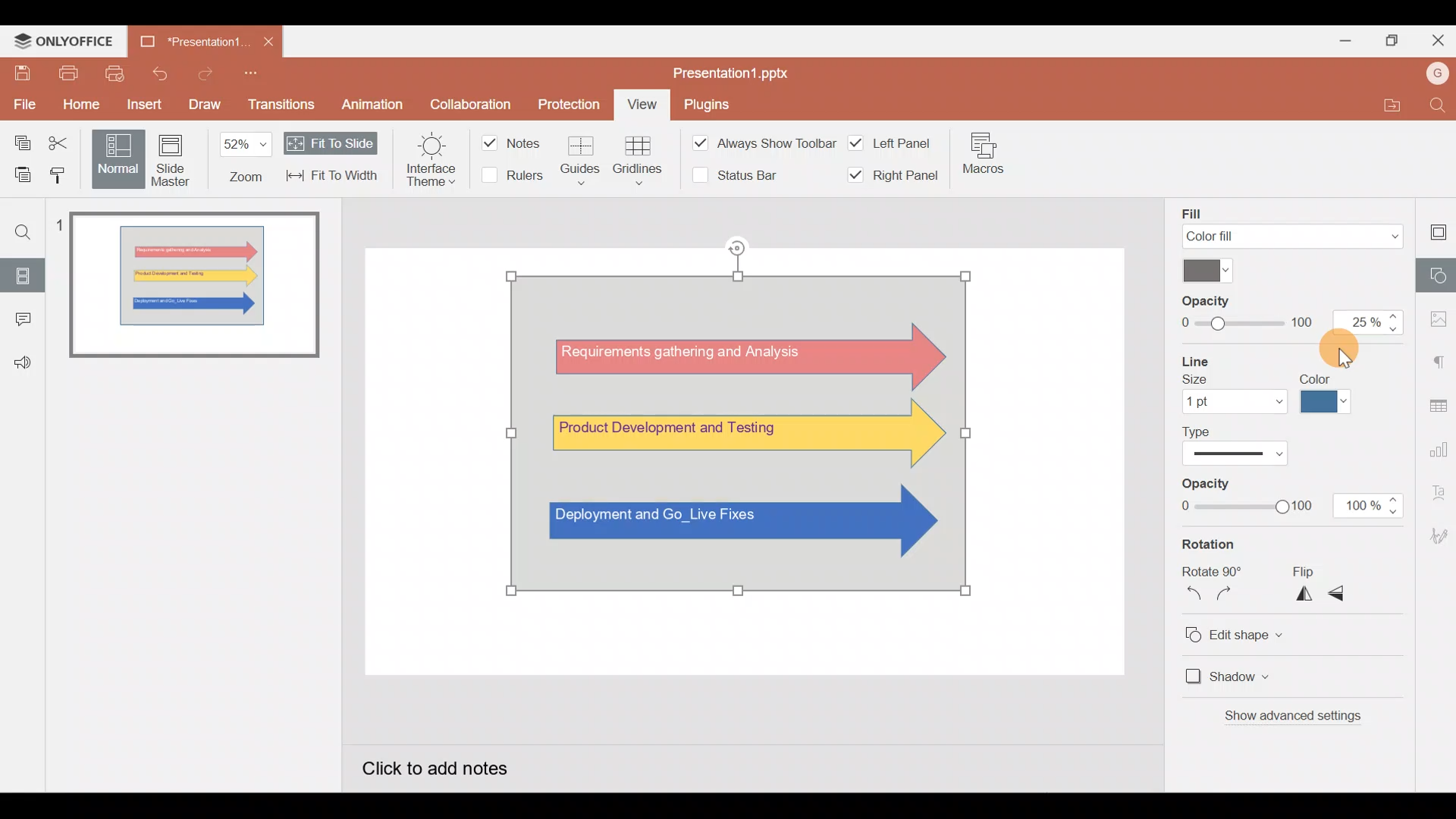 The image size is (1456, 819). What do you see at coordinates (1437, 278) in the screenshot?
I see `Shapes settings` at bounding box center [1437, 278].